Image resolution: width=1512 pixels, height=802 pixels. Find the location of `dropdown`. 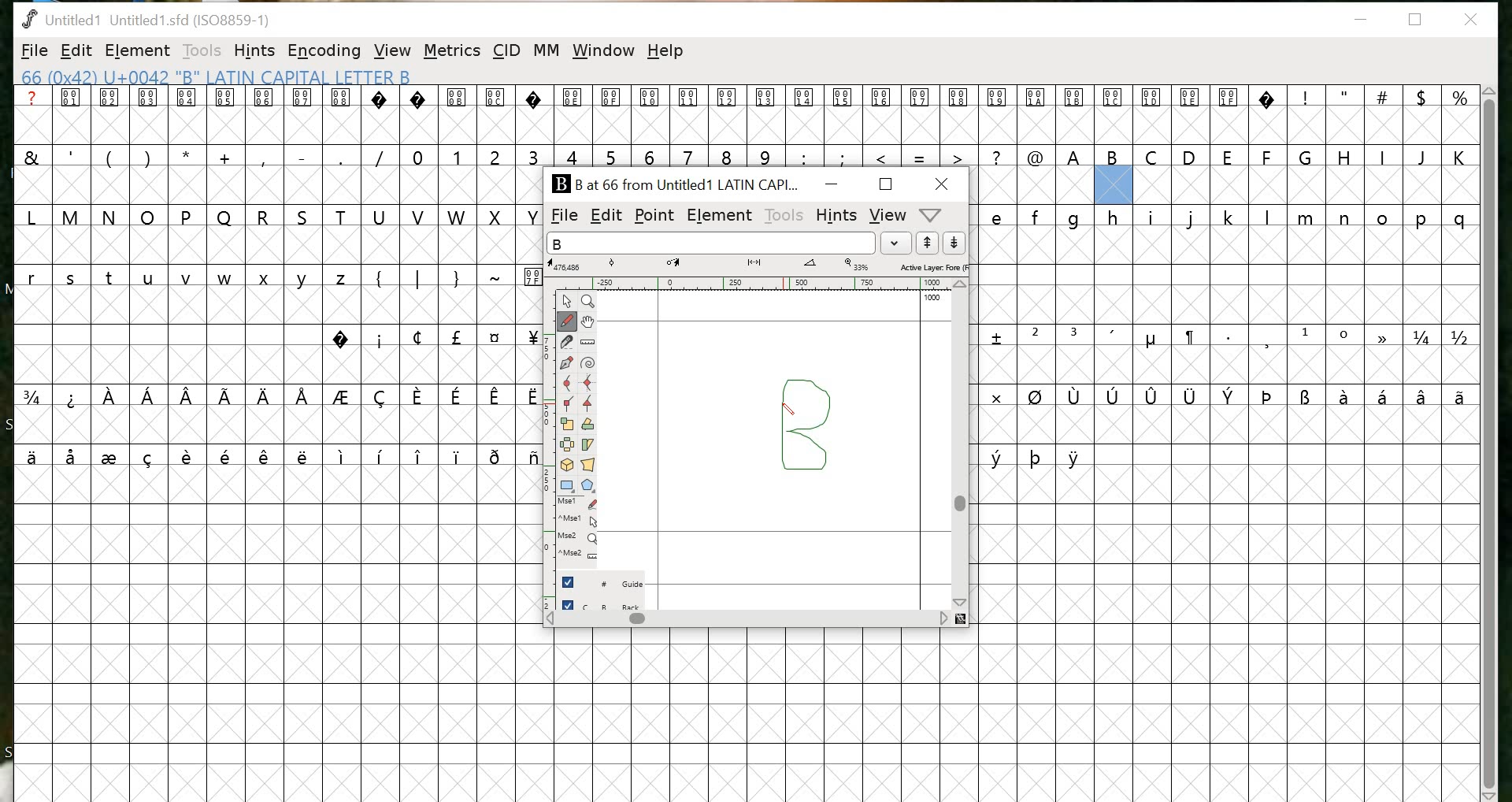

dropdown is located at coordinates (896, 243).